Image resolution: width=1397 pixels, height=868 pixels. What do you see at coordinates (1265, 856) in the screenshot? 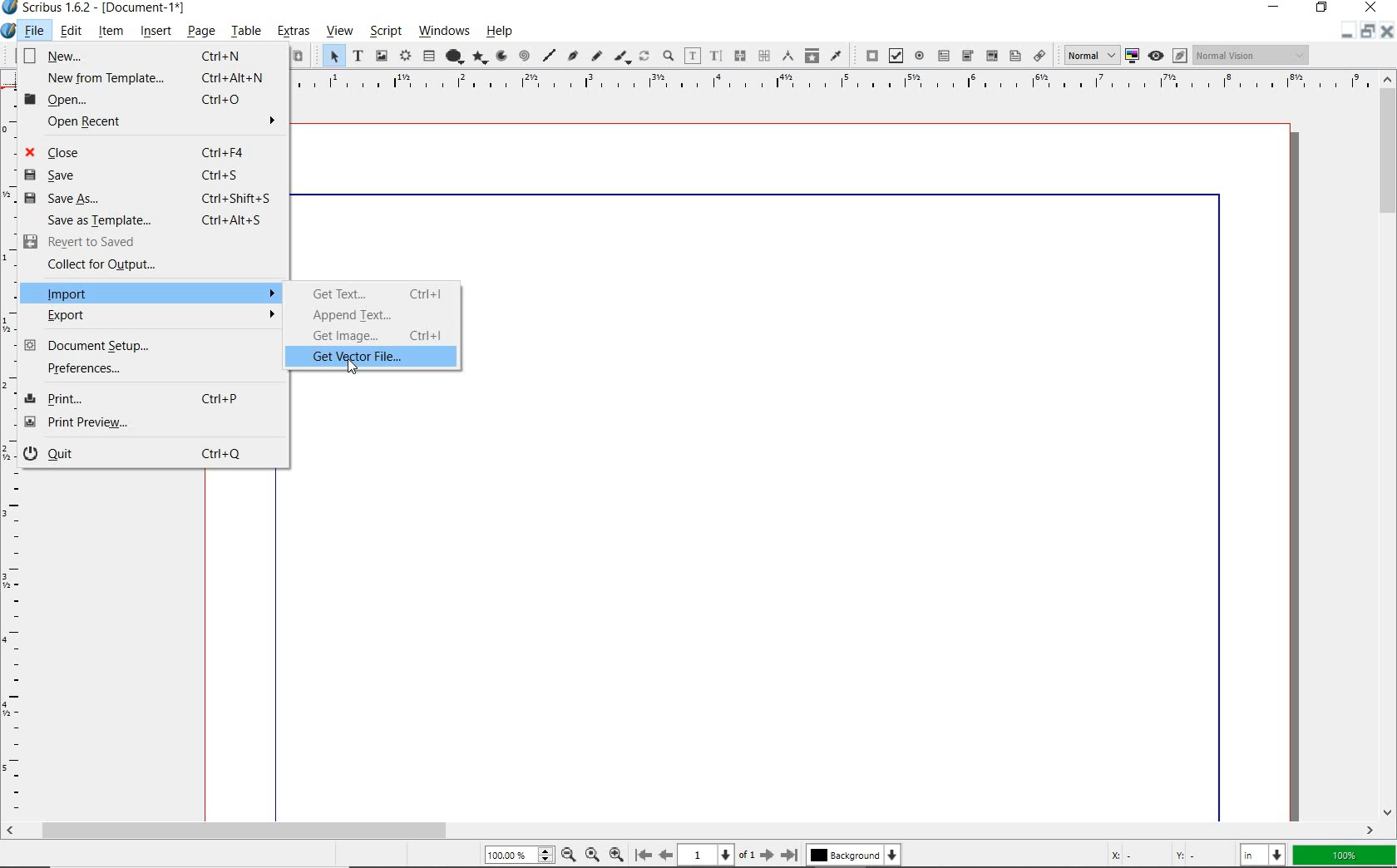
I see `select unit: in` at bounding box center [1265, 856].